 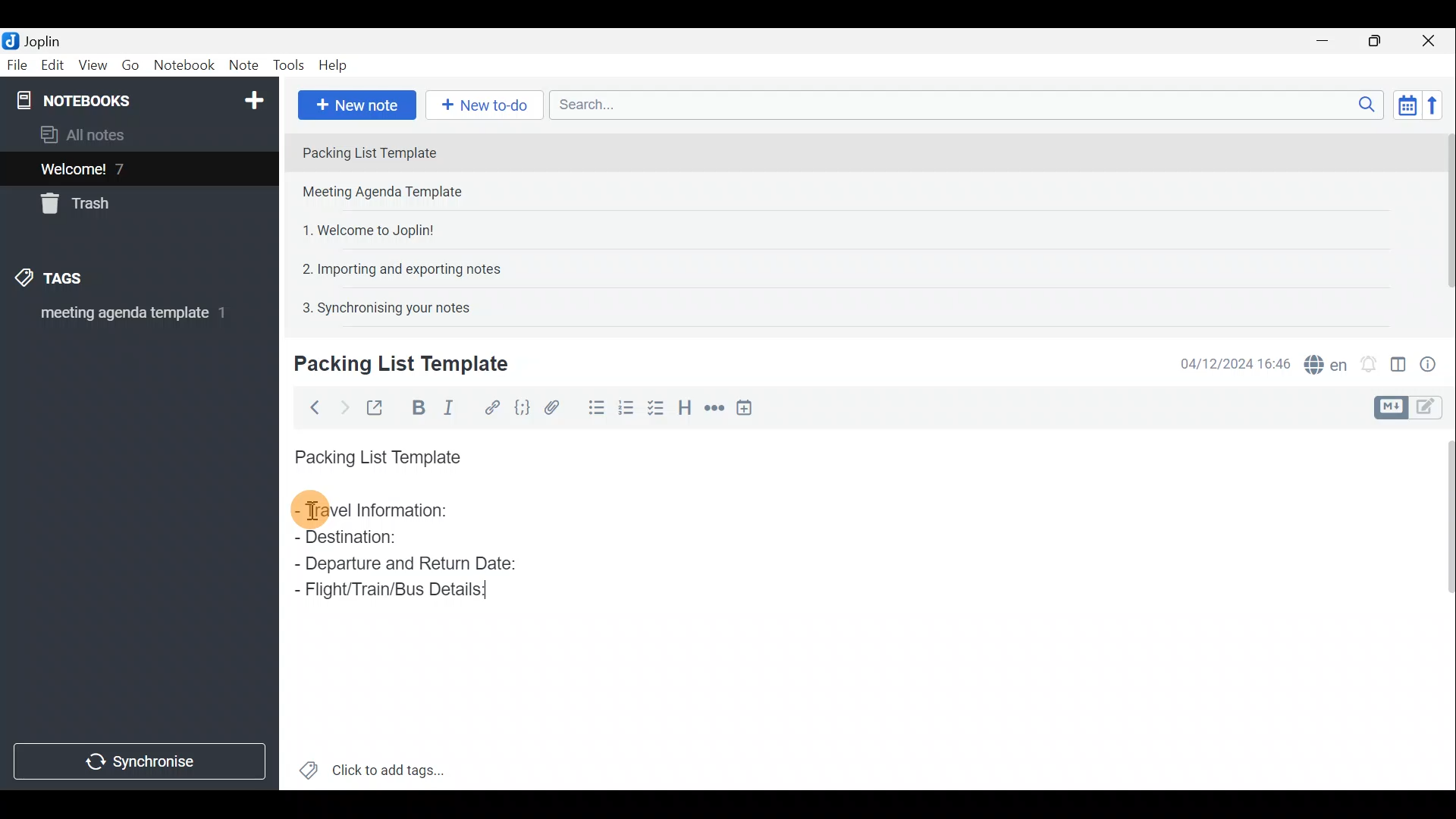 I want to click on Date & time, so click(x=1235, y=362).